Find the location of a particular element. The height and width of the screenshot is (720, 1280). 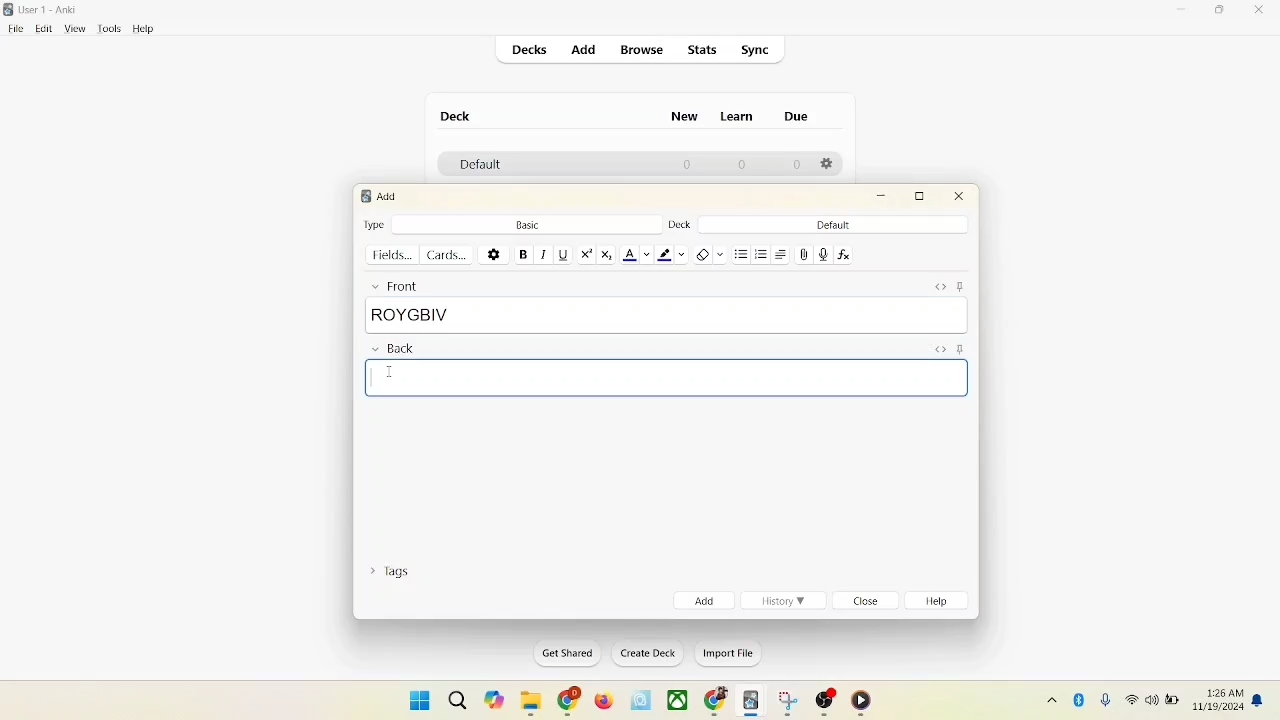

default is located at coordinates (475, 166).